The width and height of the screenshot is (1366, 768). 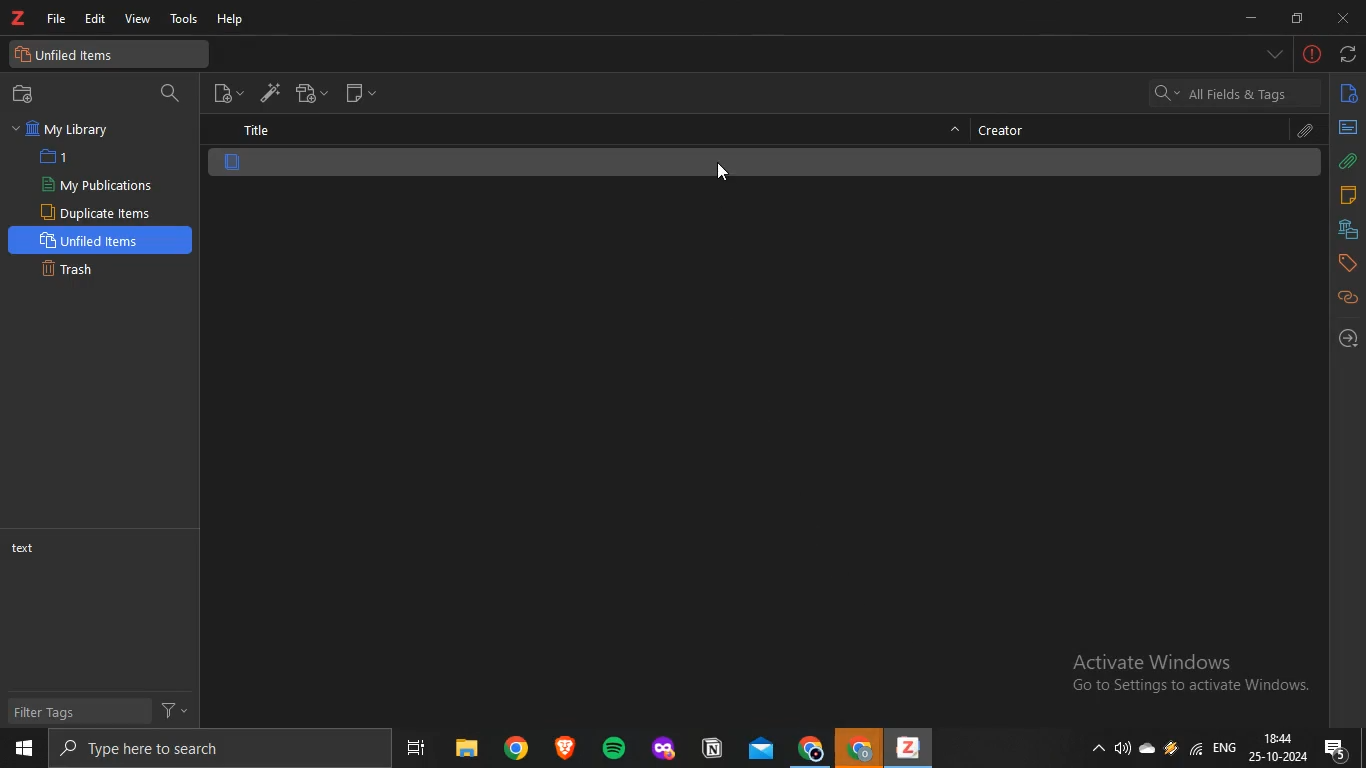 What do you see at coordinates (184, 16) in the screenshot?
I see `tools` at bounding box center [184, 16].